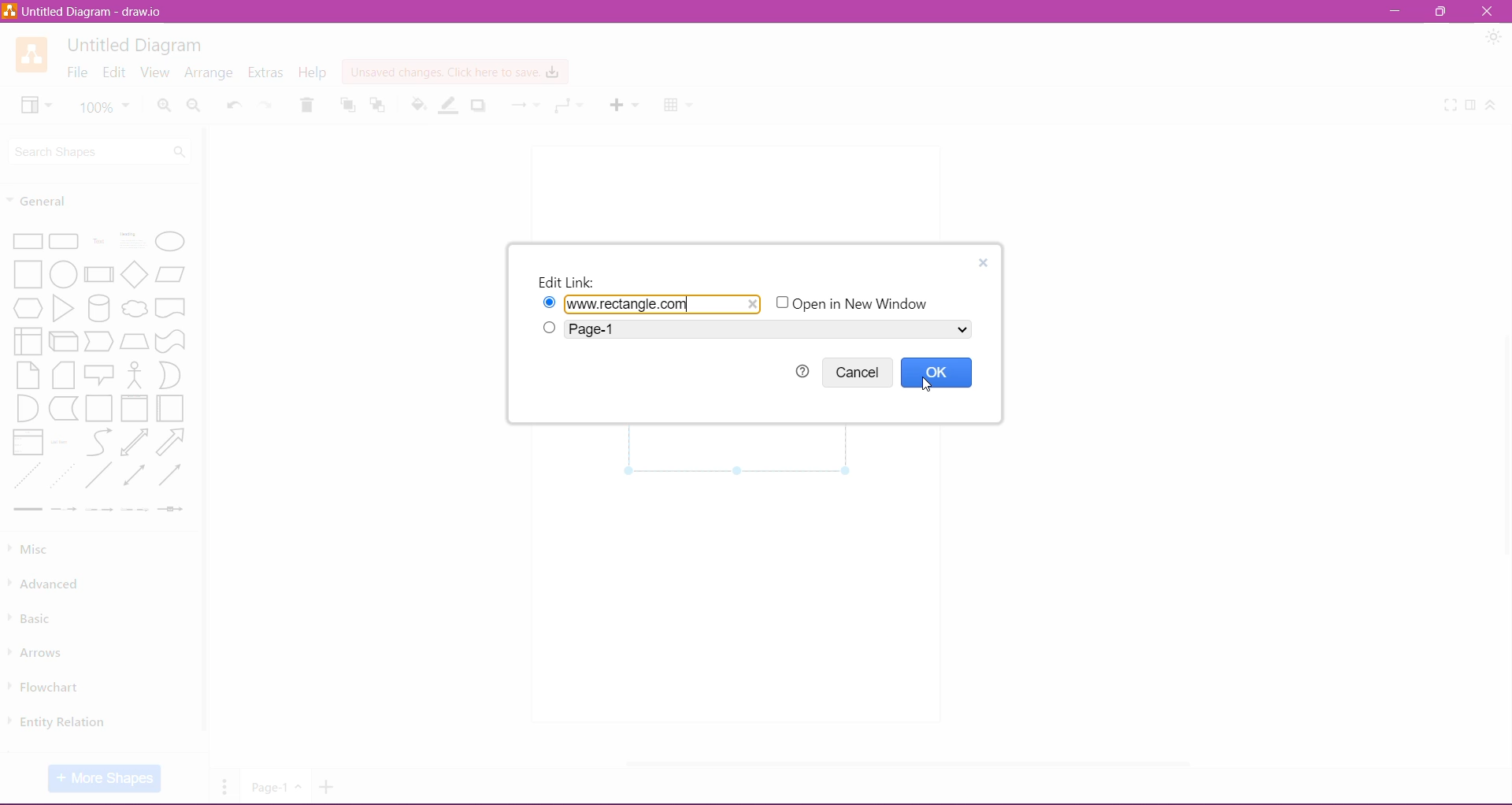  What do you see at coordinates (450, 106) in the screenshot?
I see `Line Color` at bounding box center [450, 106].